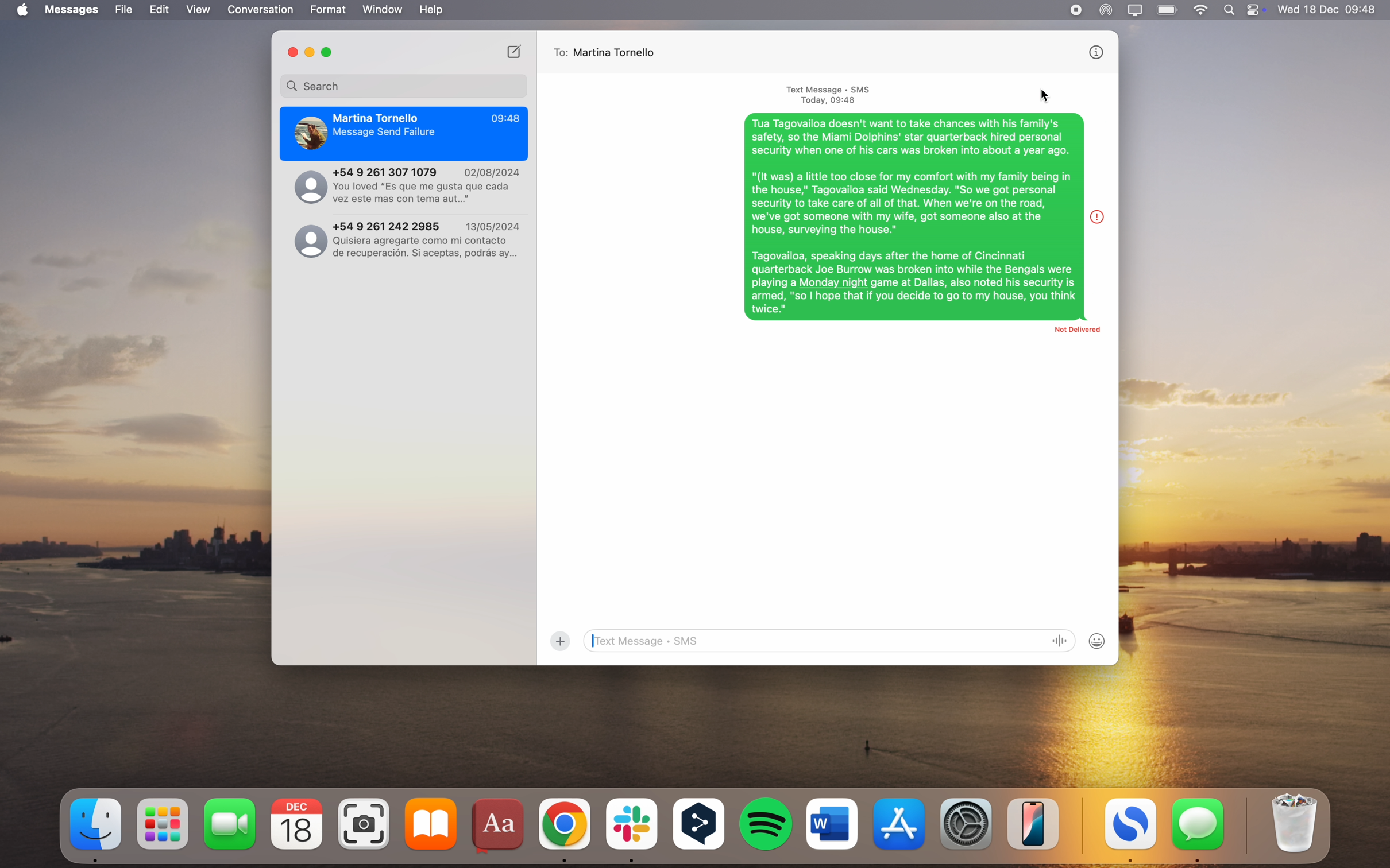 The width and height of the screenshot is (1390, 868). What do you see at coordinates (1094, 53) in the screenshot?
I see `info` at bounding box center [1094, 53].